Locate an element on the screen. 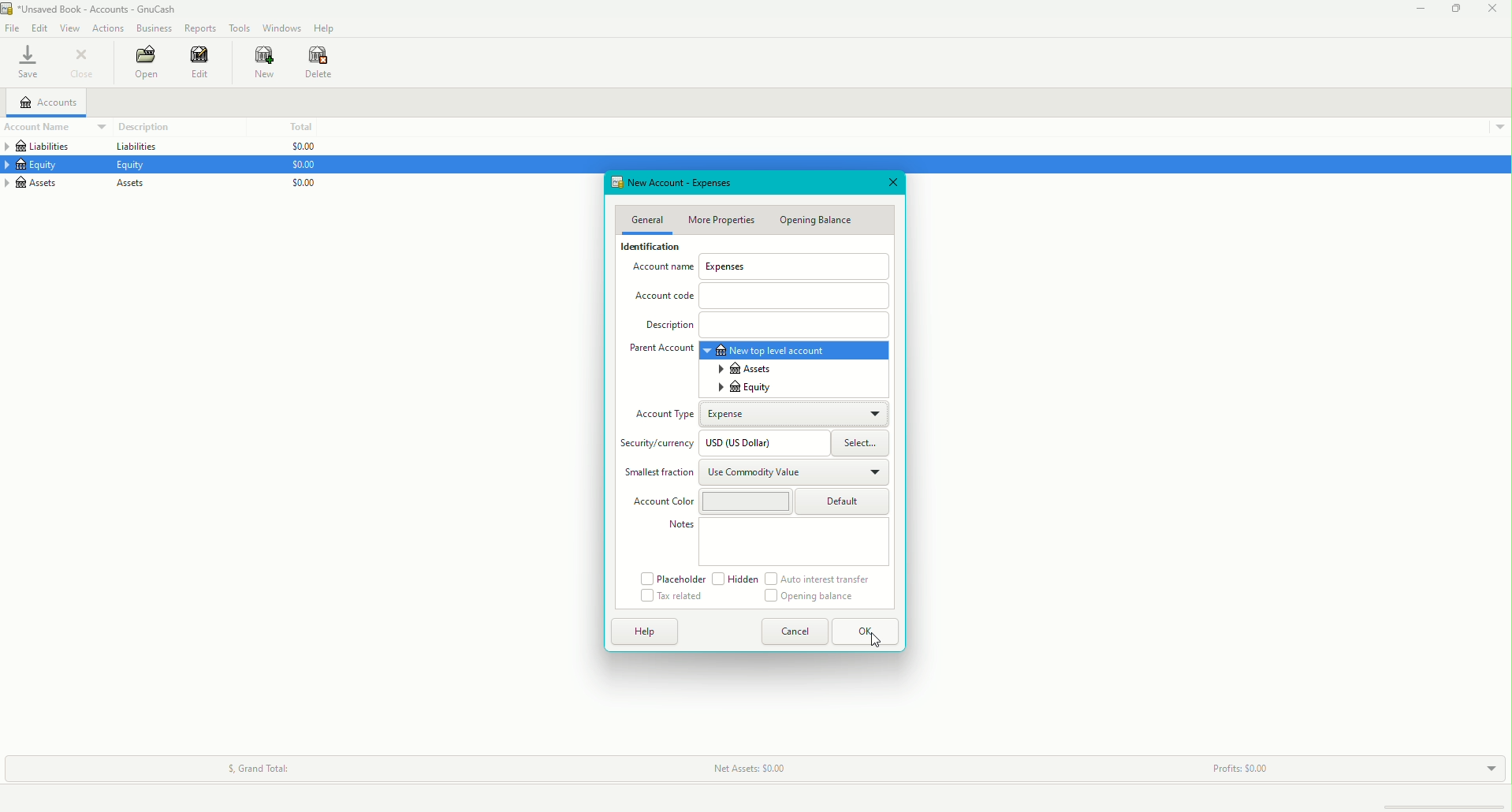  Opening Balance is located at coordinates (816, 598).